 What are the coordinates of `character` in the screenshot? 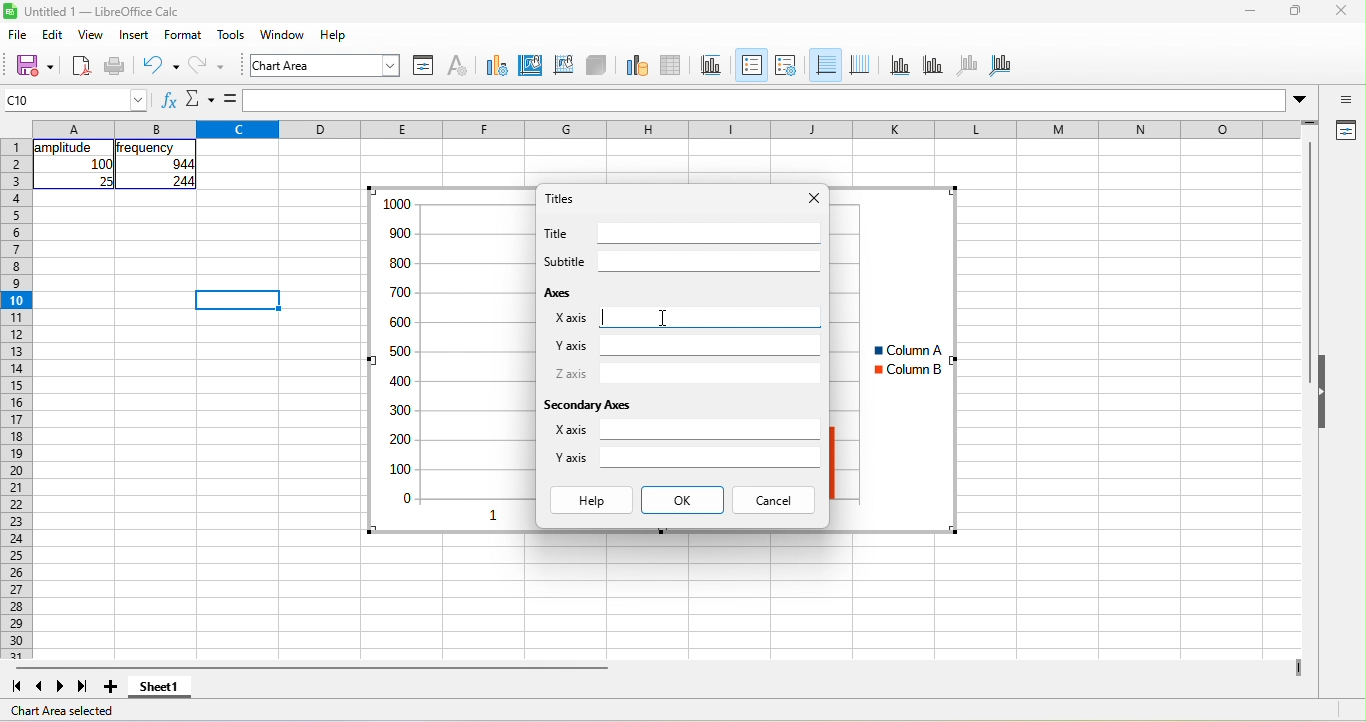 It's located at (458, 66).